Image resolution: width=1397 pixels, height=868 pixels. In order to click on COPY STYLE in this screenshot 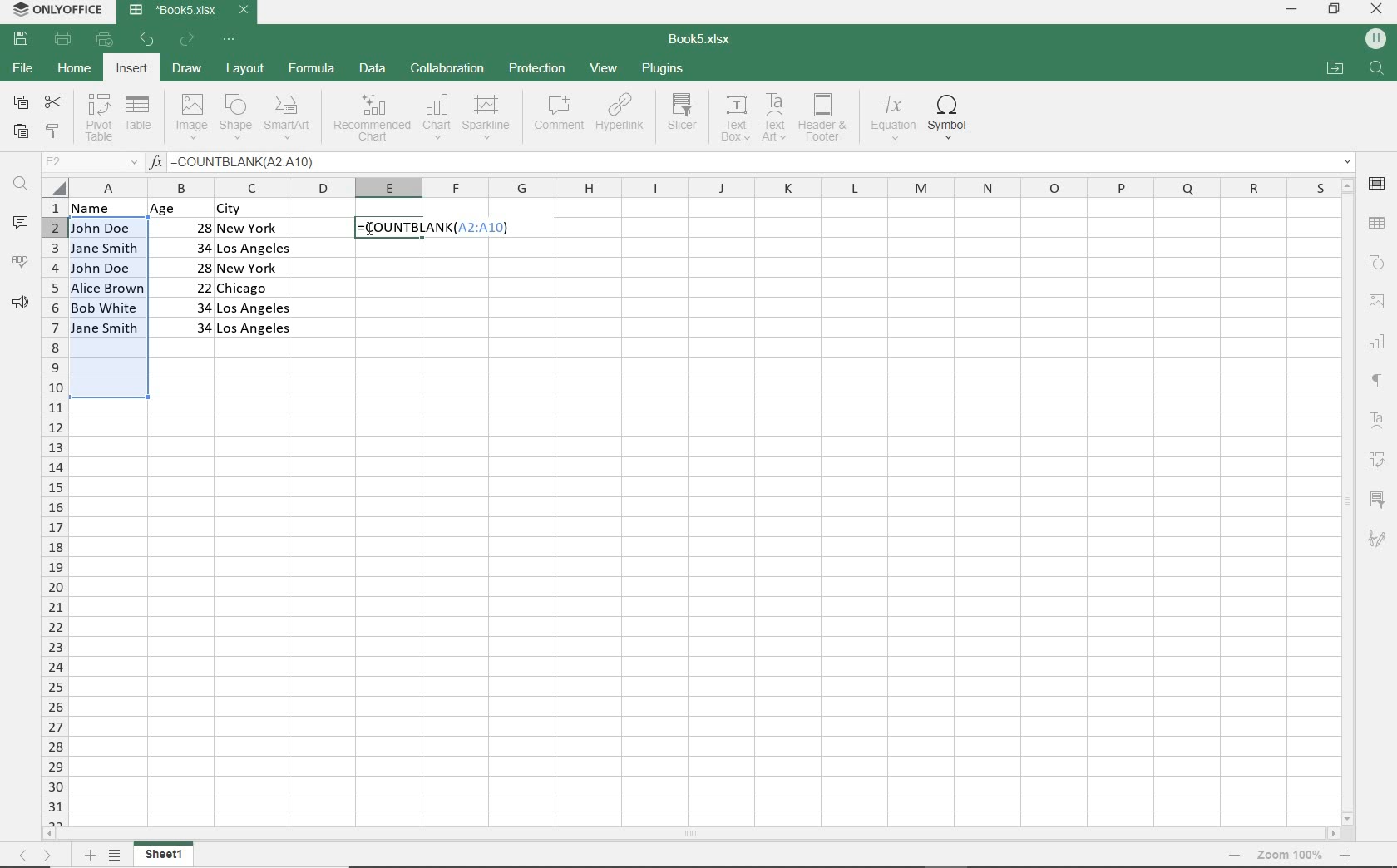, I will do `click(53, 132)`.